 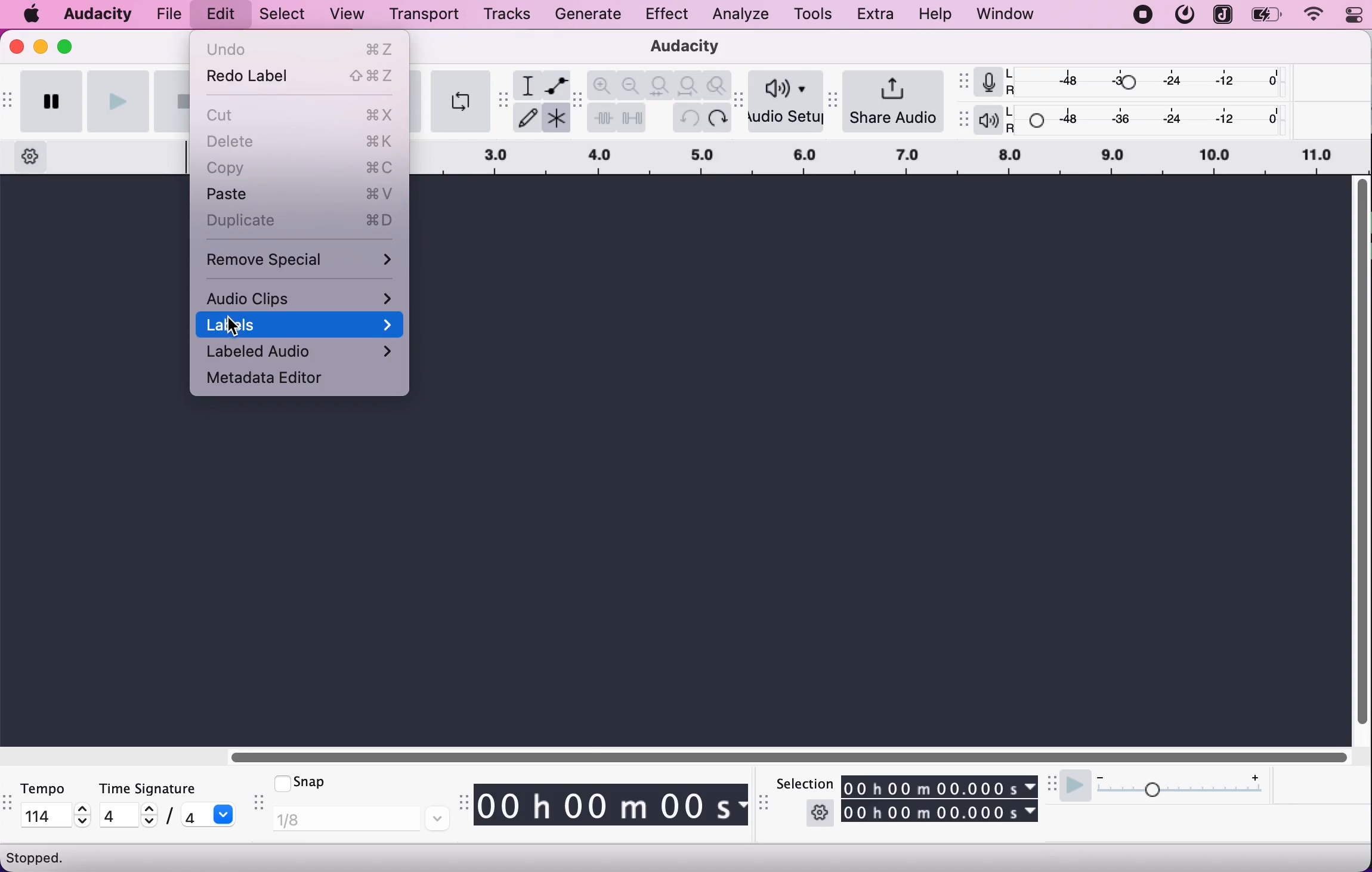 What do you see at coordinates (302, 143) in the screenshot?
I see `delete` at bounding box center [302, 143].